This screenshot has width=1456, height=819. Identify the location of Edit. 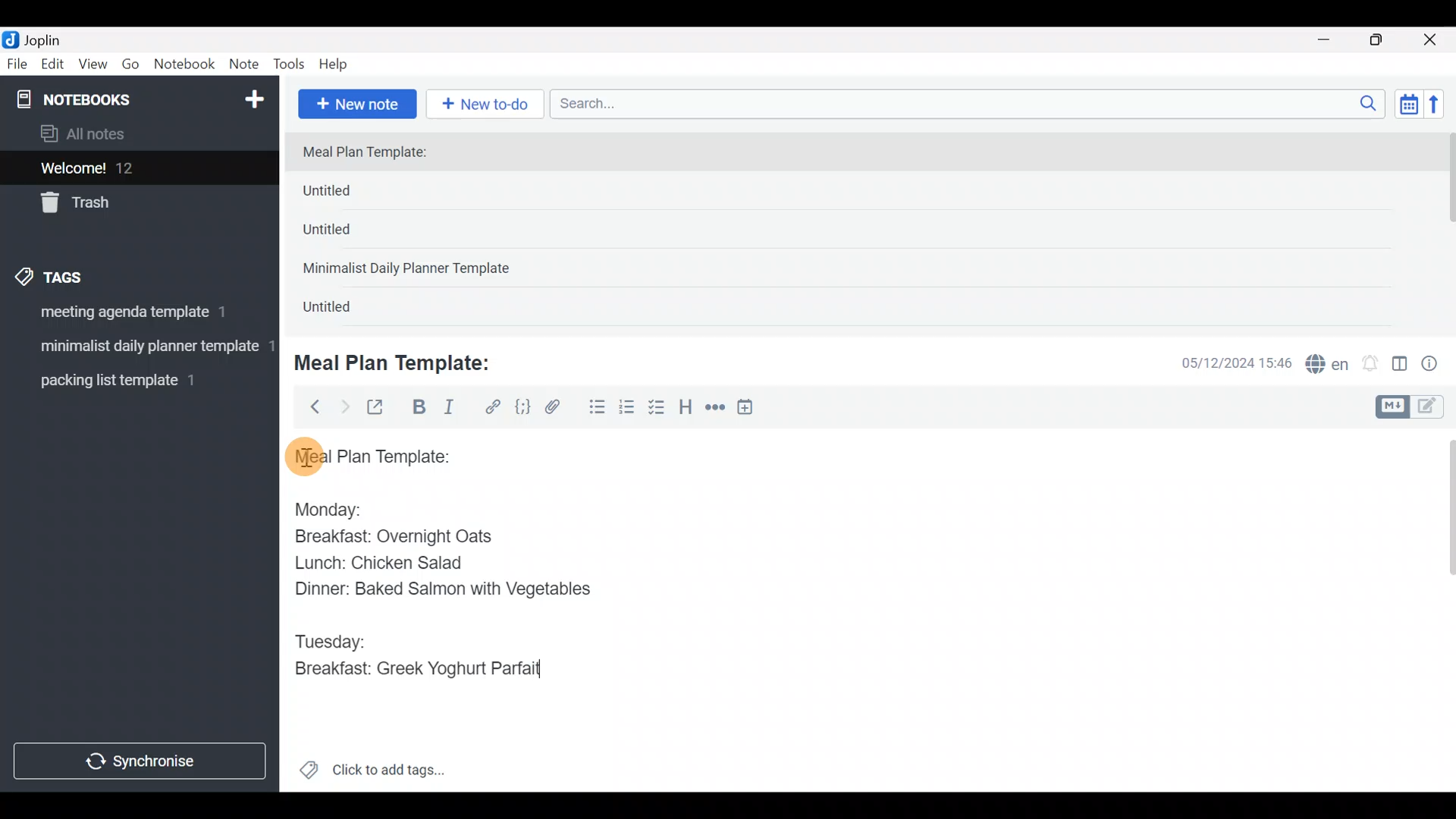
(53, 67).